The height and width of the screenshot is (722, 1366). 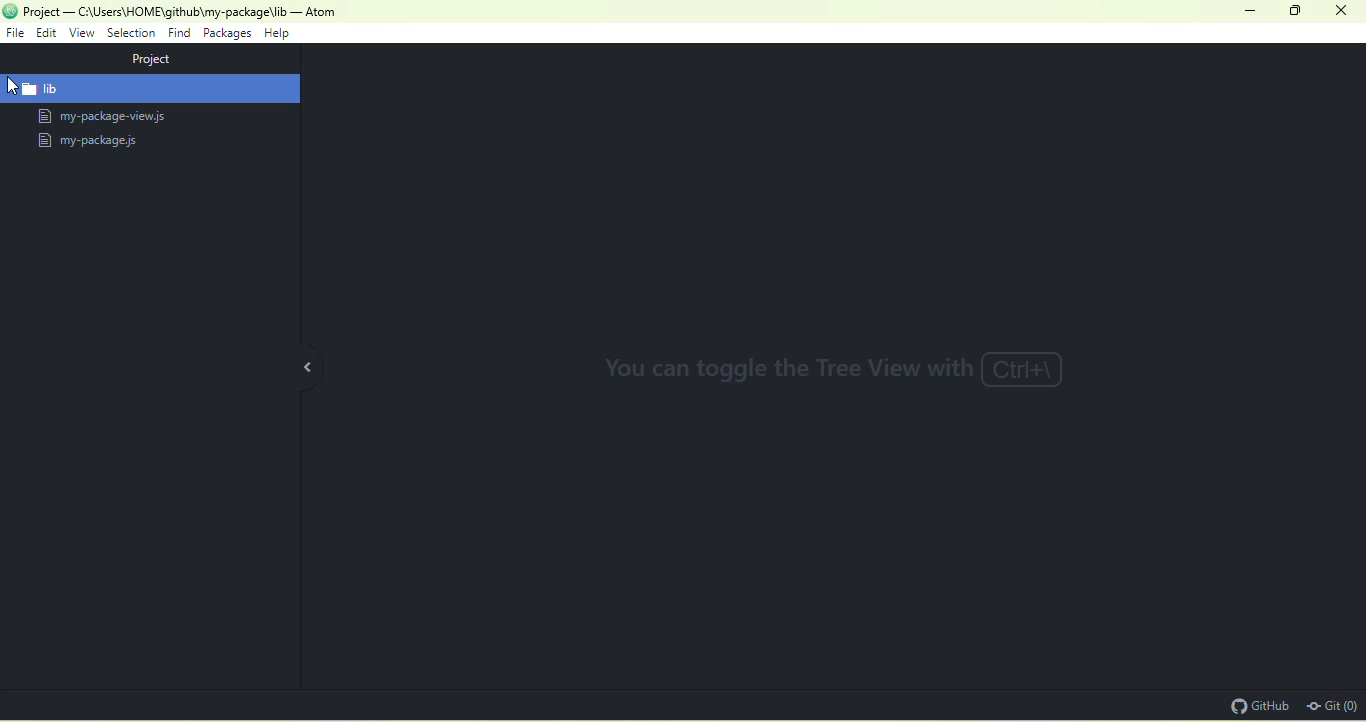 I want to click on you can toggle the Tree view with Ctrl+\, so click(x=836, y=368).